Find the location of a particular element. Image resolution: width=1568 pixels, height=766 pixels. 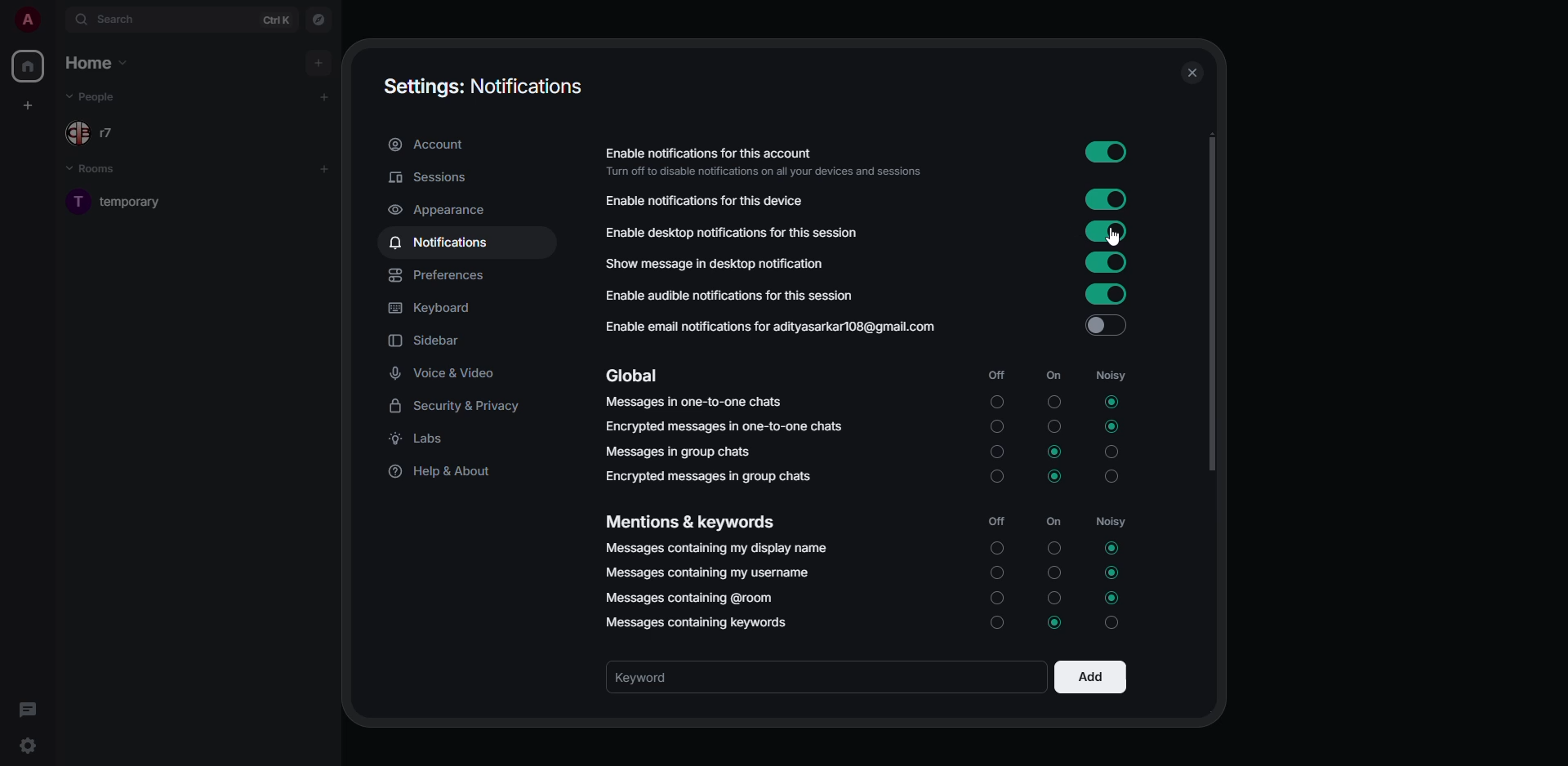

selected is located at coordinates (1113, 599).